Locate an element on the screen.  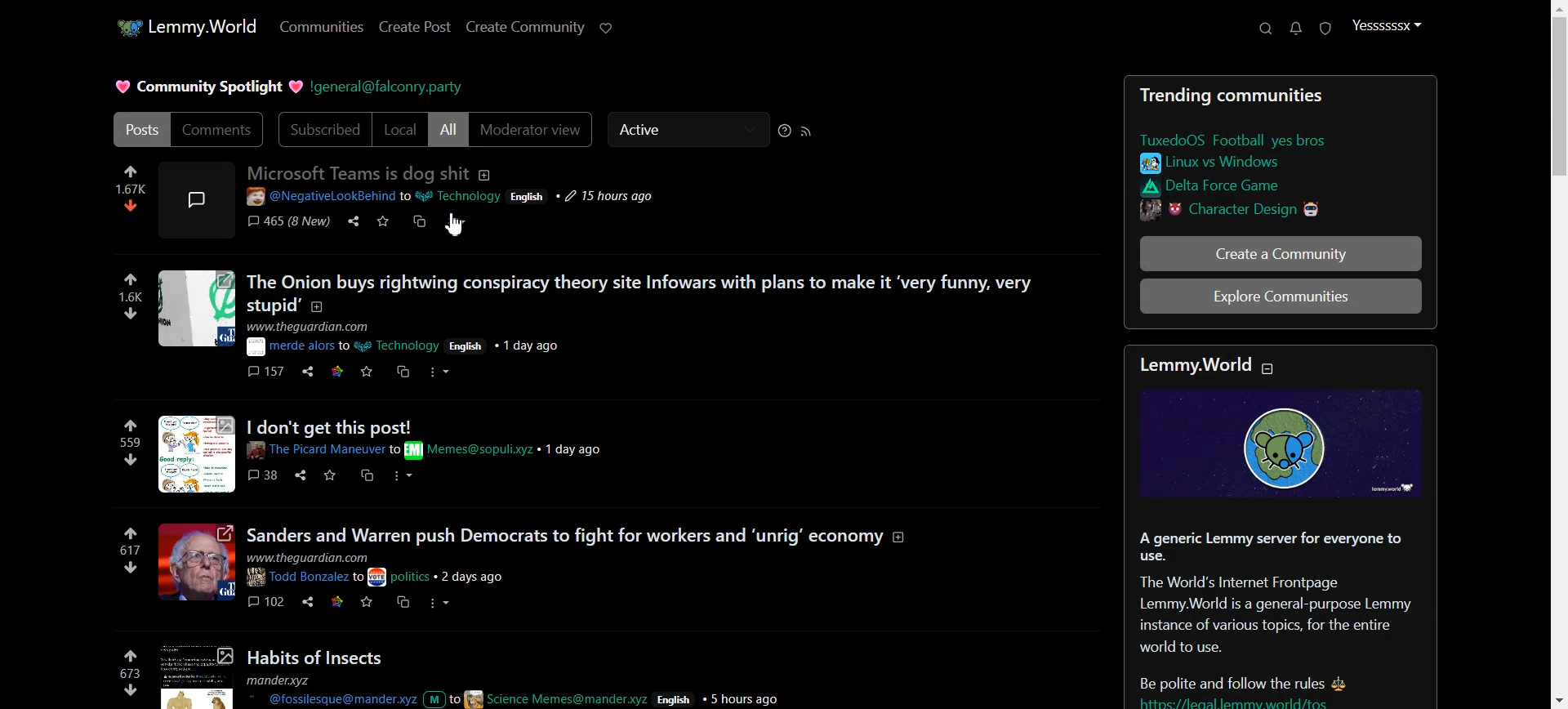
text is located at coordinates (1217, 368).